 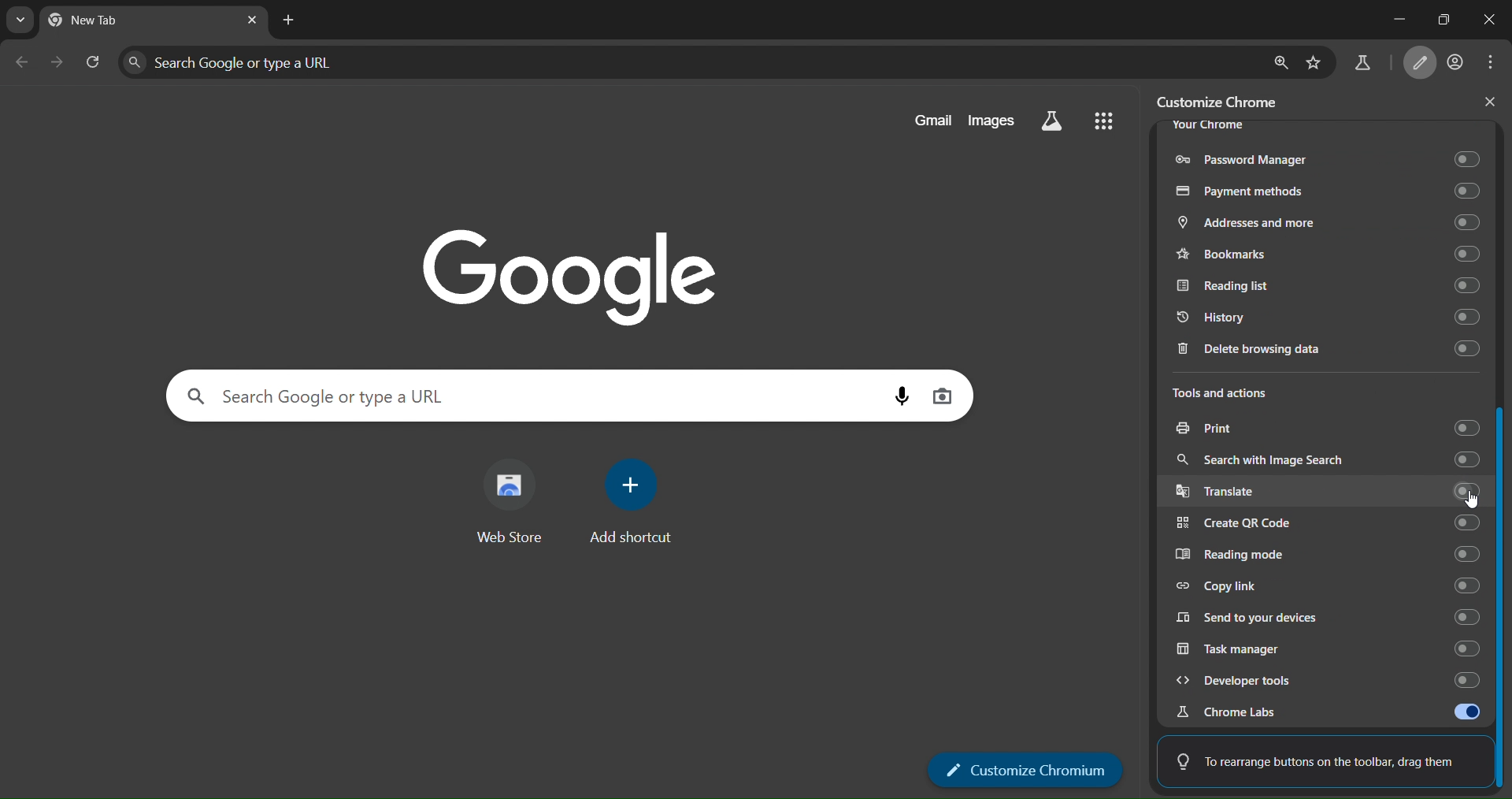 What do you see at coordinates (1503, 595) in the screenshot?
I see `slider` at bounding box center [1503, 595].